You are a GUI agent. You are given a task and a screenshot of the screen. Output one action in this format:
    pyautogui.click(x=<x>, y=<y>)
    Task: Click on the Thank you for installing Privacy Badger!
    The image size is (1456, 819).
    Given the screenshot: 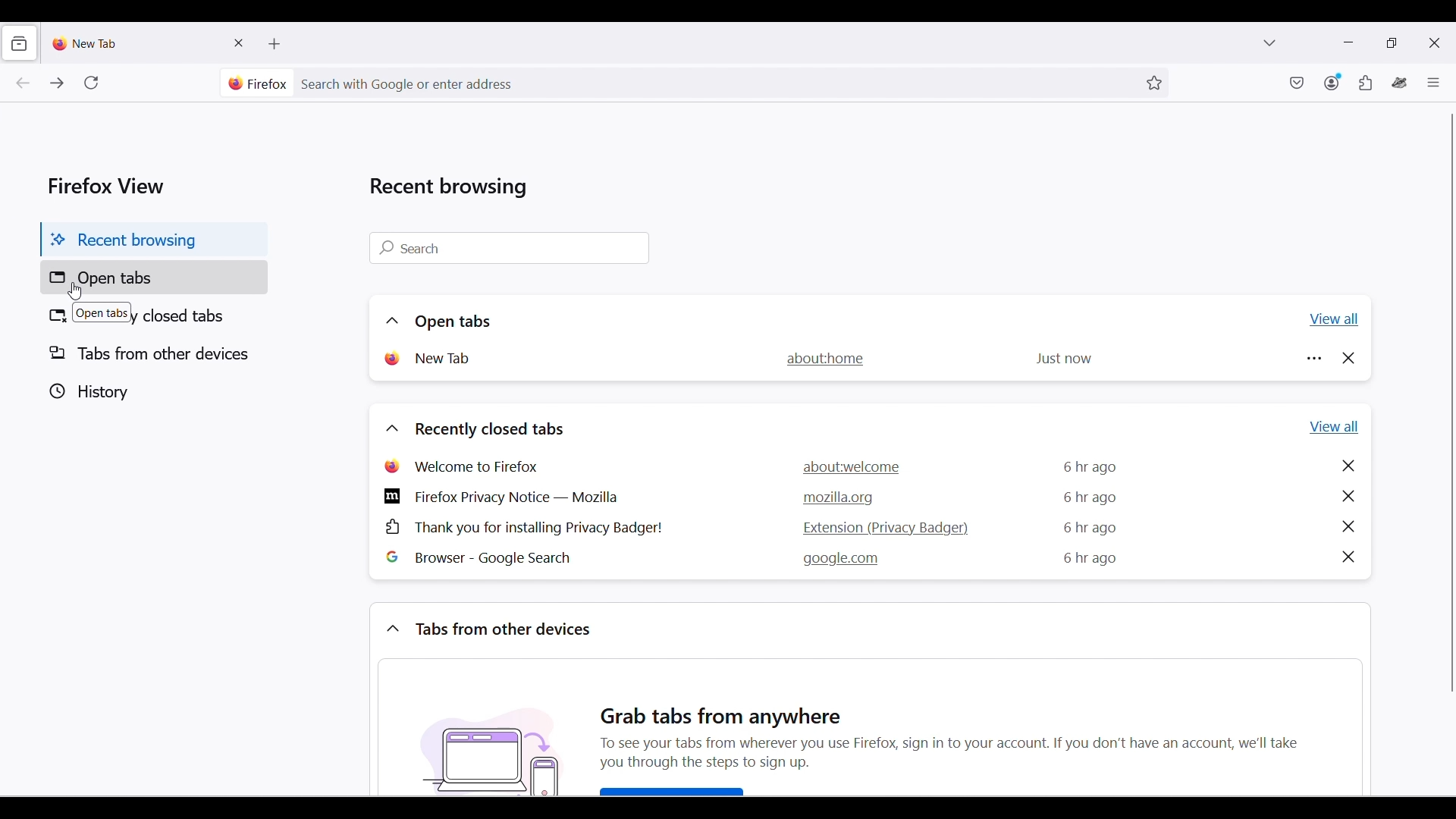 What is the action you would take?
    pyautogui.click(x=523, y=528)
    